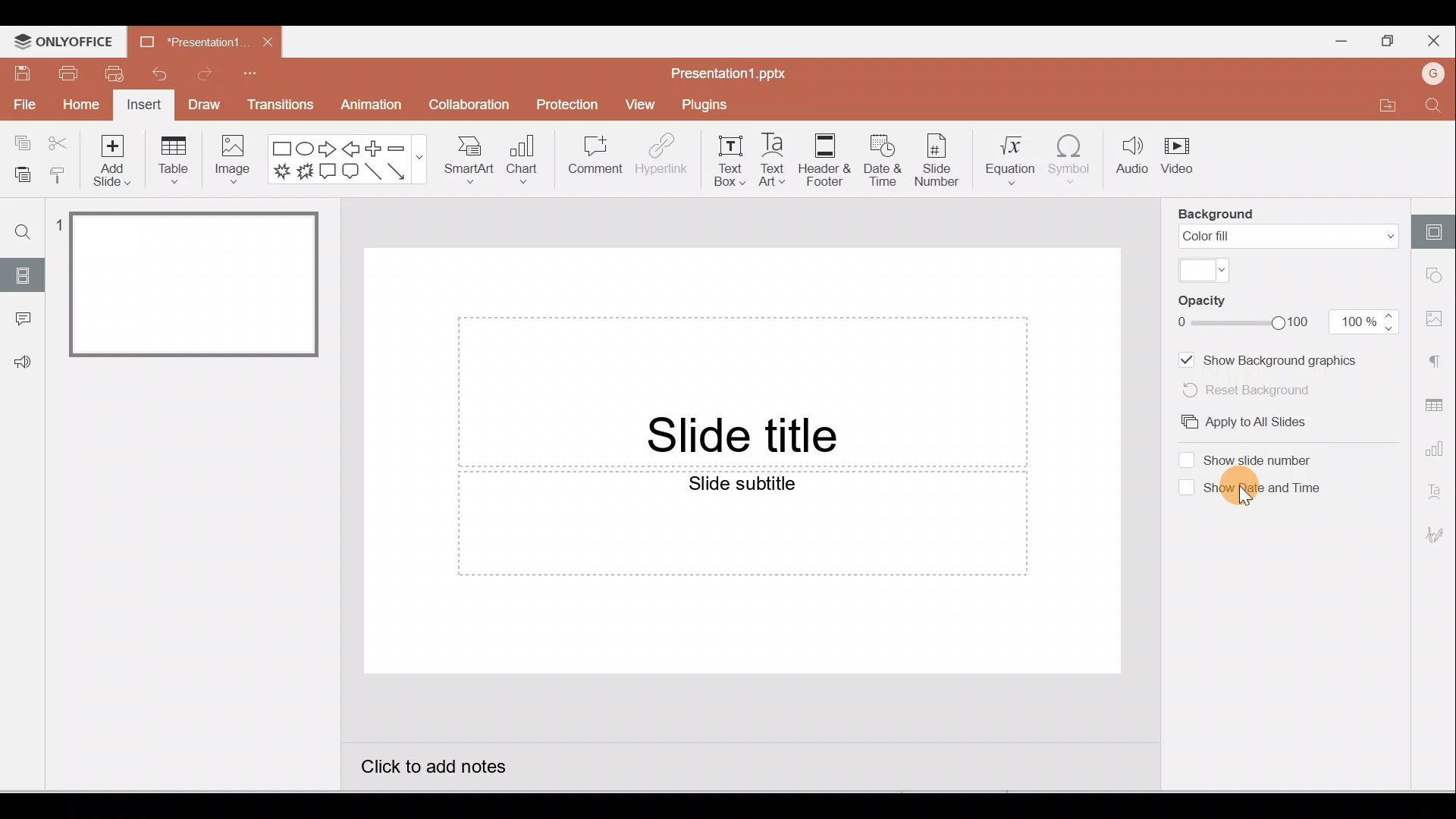 The width and height of the screenshot is (1456, 819). What do you see at coordinates (1244, 322) in the screenshot?
I see `slider to change opacity` at bounding box center [1244, 322].